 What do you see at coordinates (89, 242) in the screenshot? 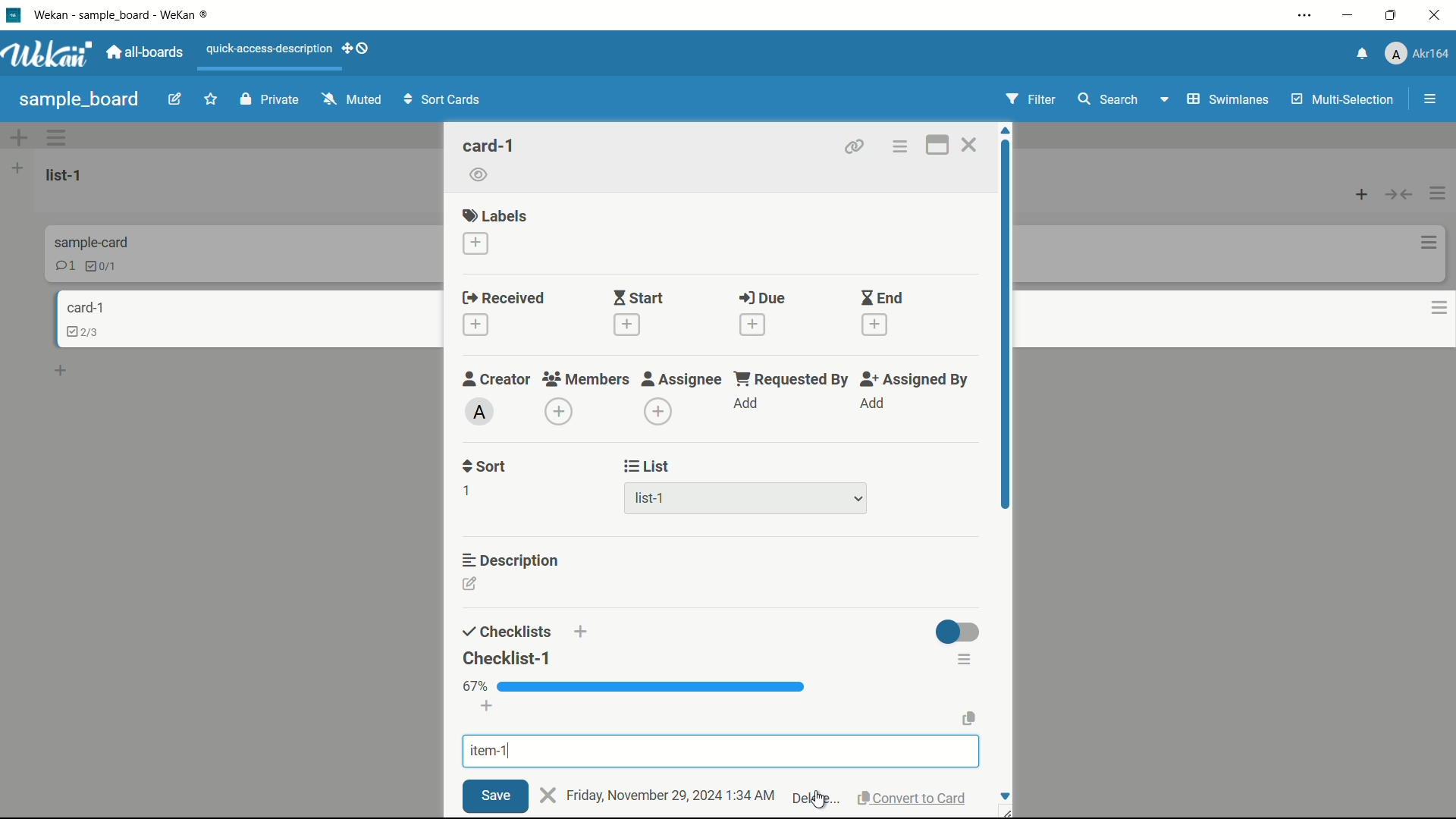
I see `card name` at bounding box center [89, 242].